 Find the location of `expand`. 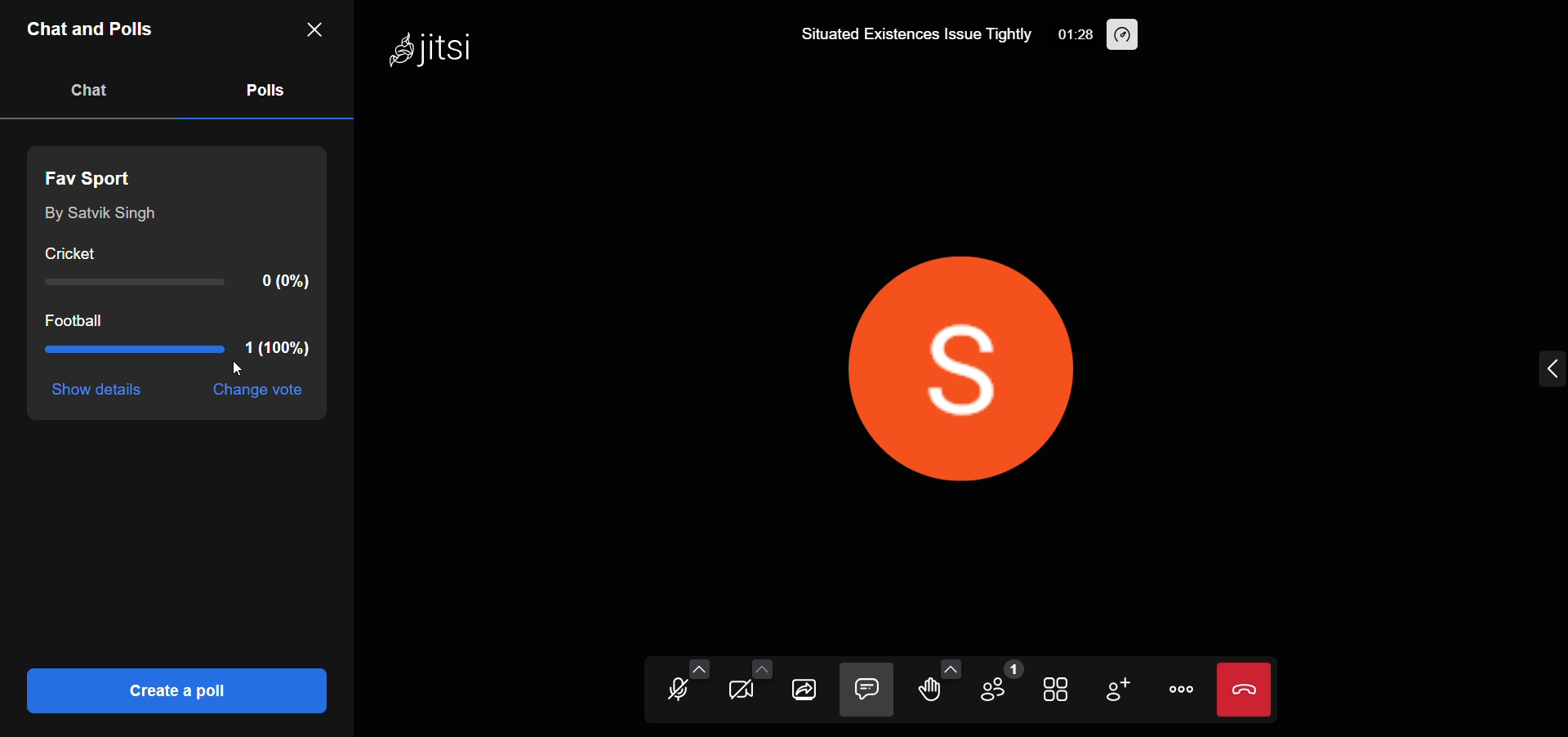

expand is located at coordinates (1547, 369).